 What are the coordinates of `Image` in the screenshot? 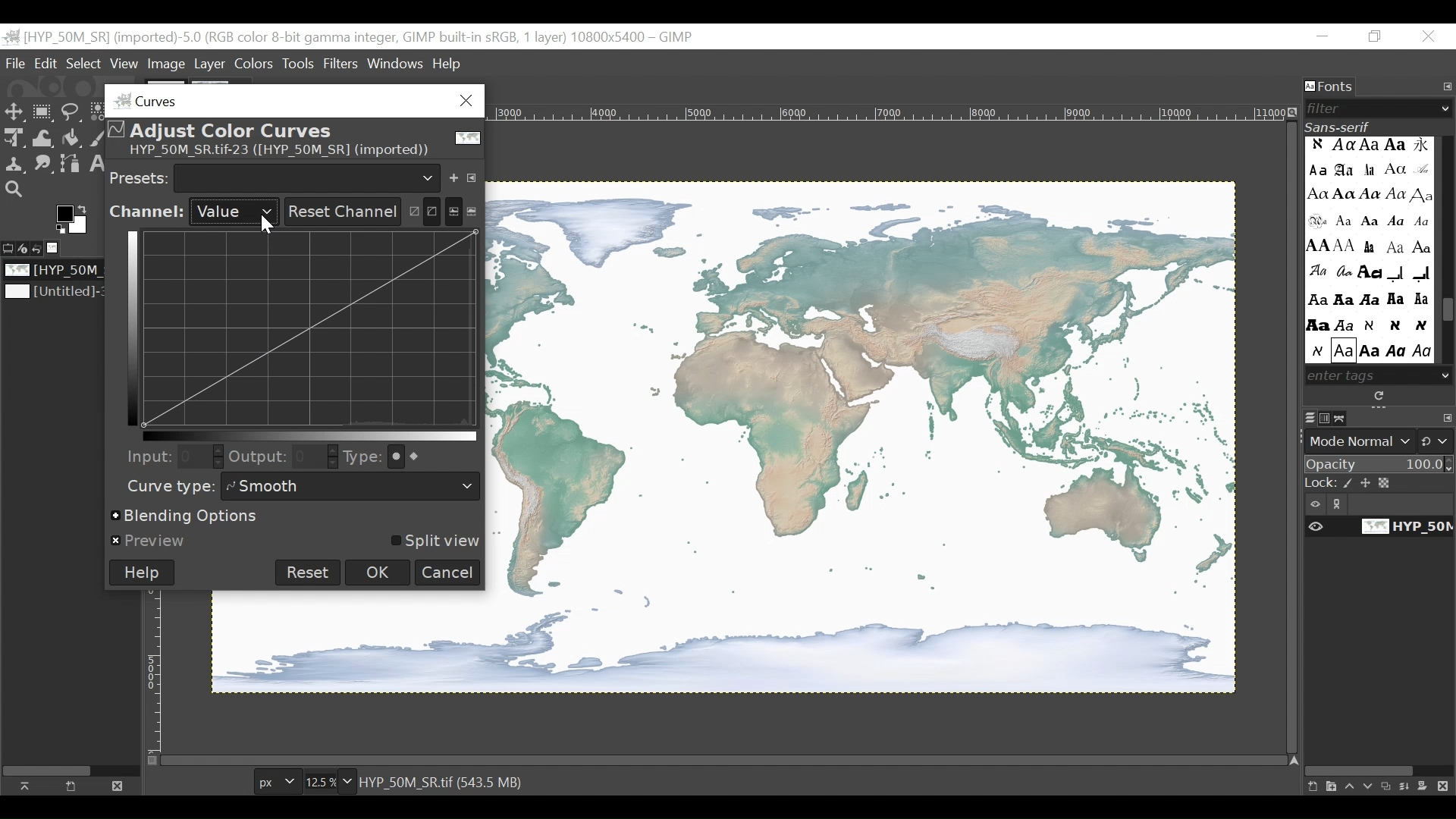 It's located at (168, 64).